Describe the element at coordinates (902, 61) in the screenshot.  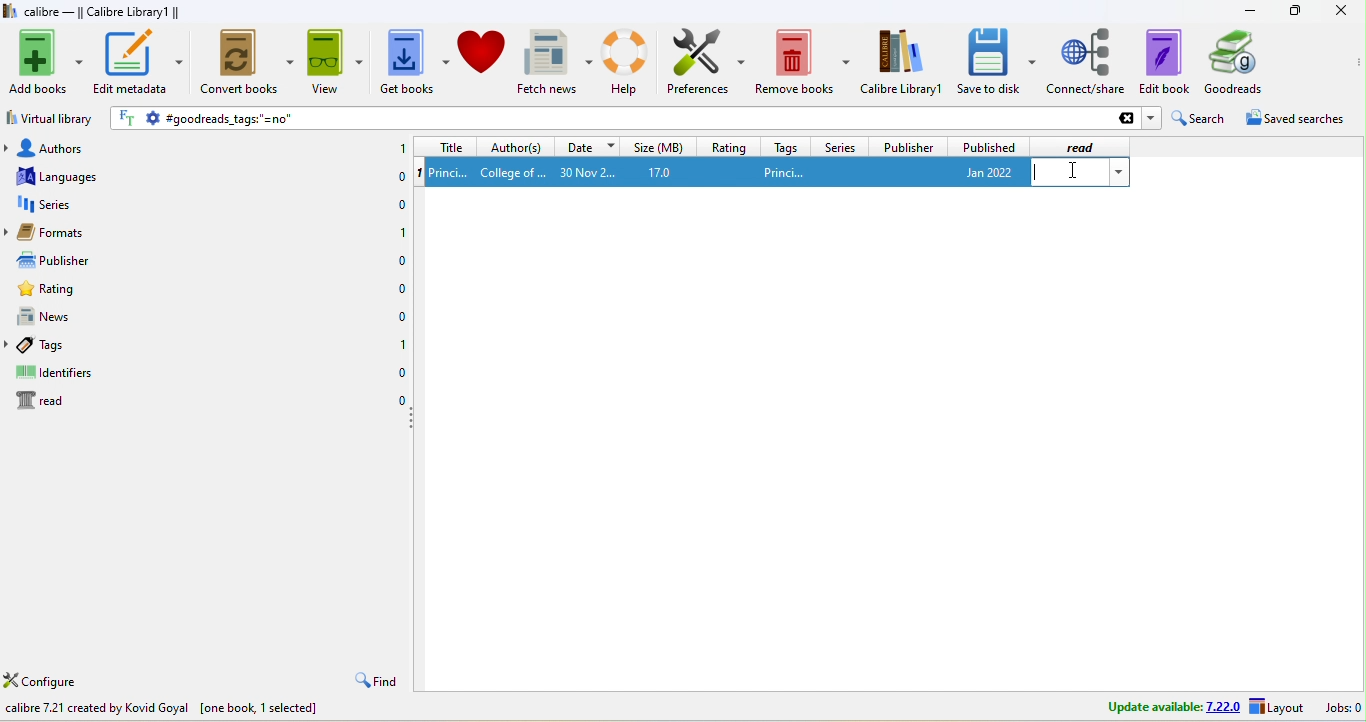
I see `calibre library 1` at that location.